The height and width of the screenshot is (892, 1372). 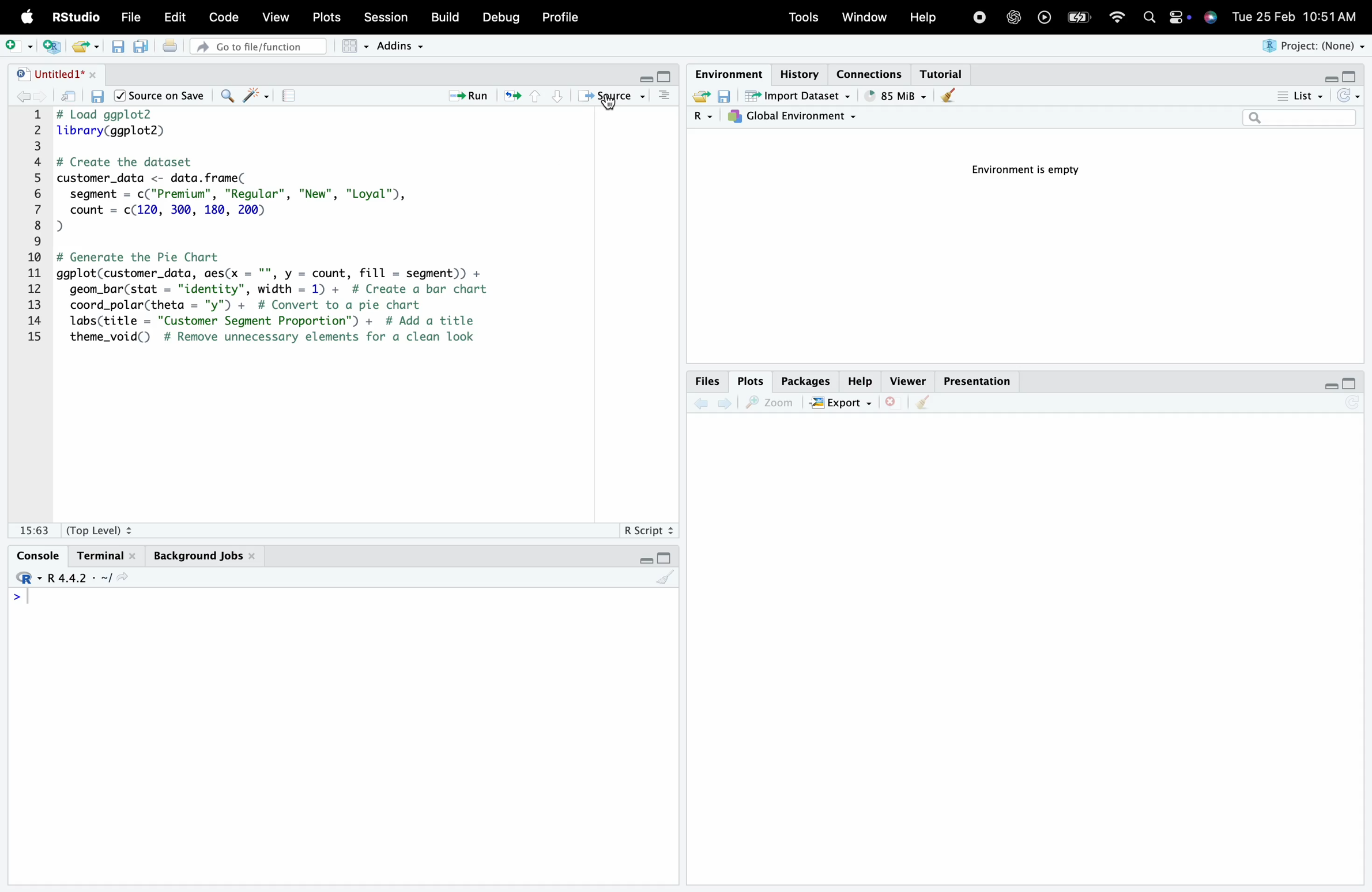 I want to click on cursor, so click(x=610, y=104).